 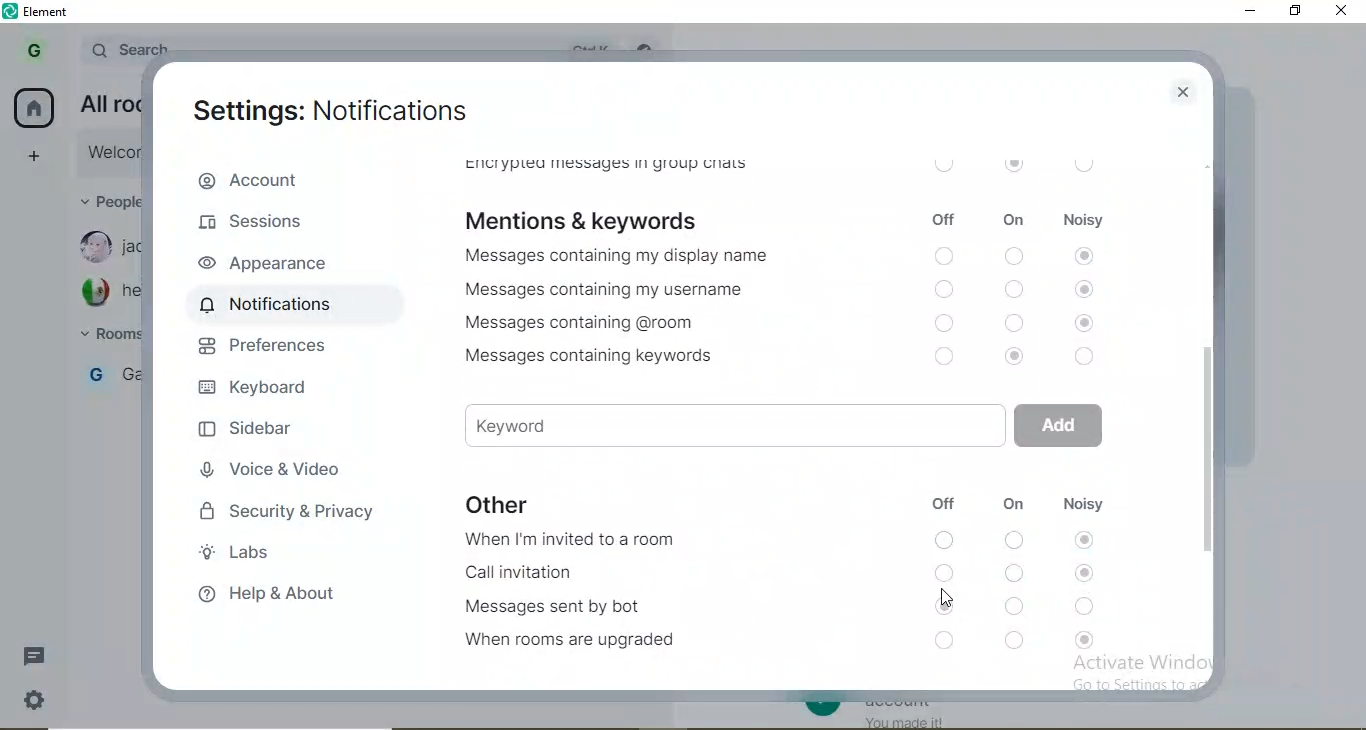 What do you see at coordinates (943, 500) in the screenshot?
I see `off` at bounding box center [943, 500].